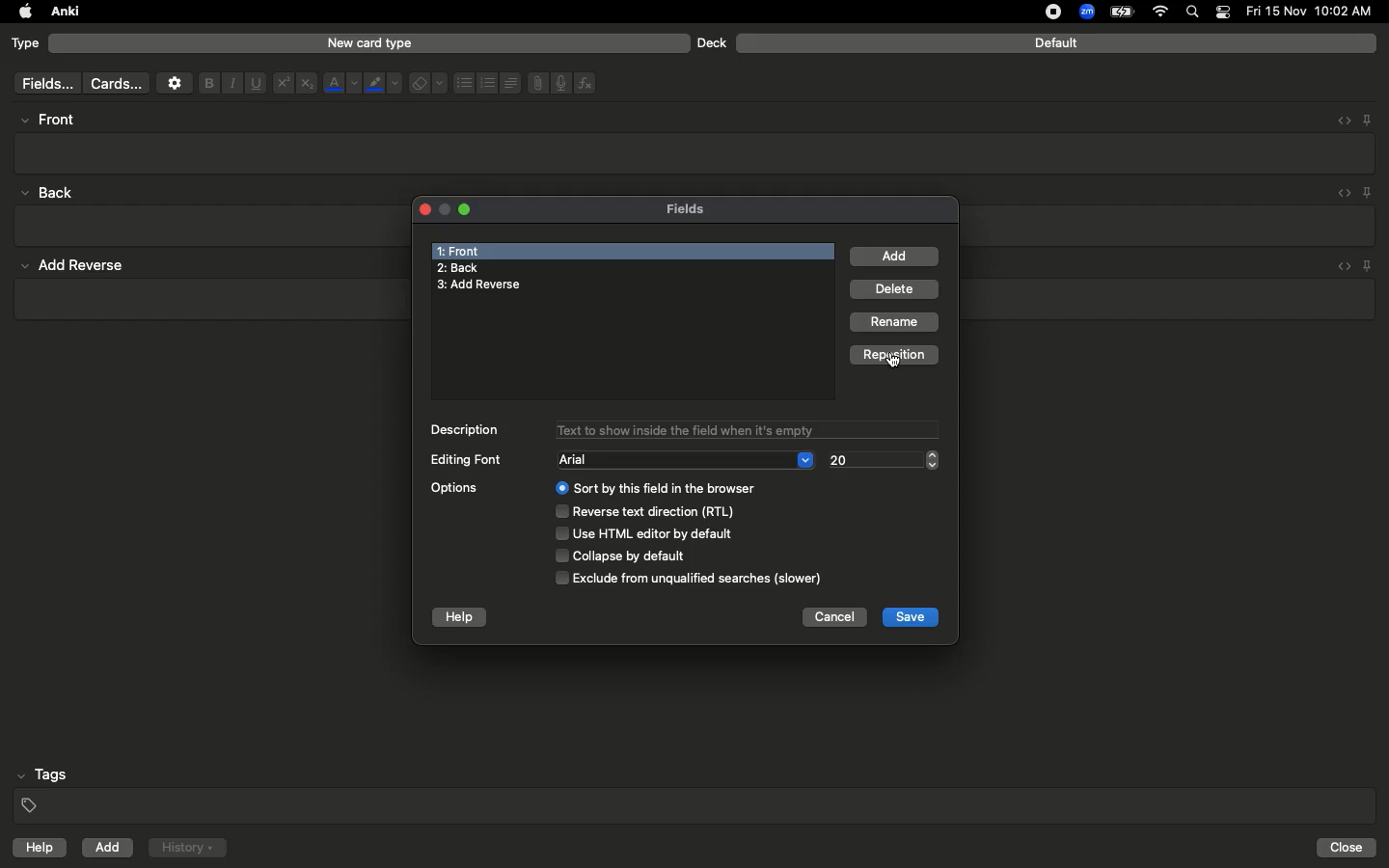 The width and height of the screenshot is (1389, 868). I want to click on Fields, so click(697, 208).